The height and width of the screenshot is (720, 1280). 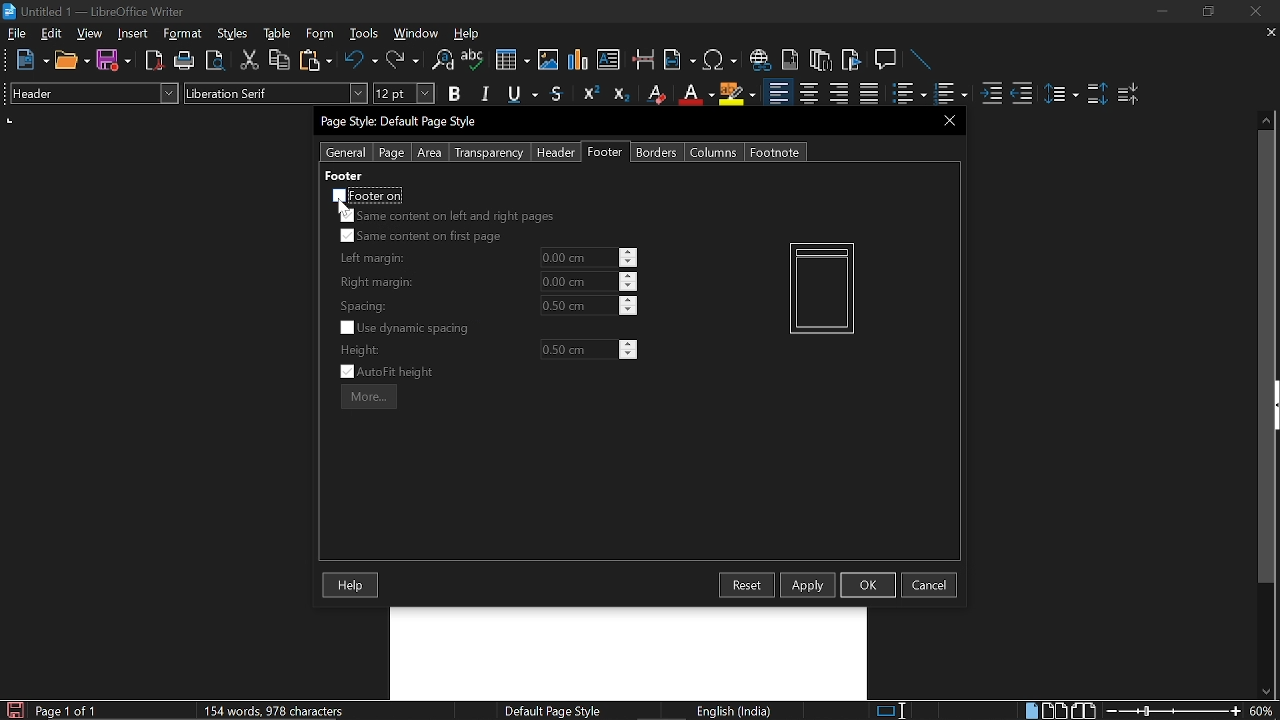 What do you see at coordinates (233, 34) in the screenshot?
I see `Styles` at bounding box center [233, 34].